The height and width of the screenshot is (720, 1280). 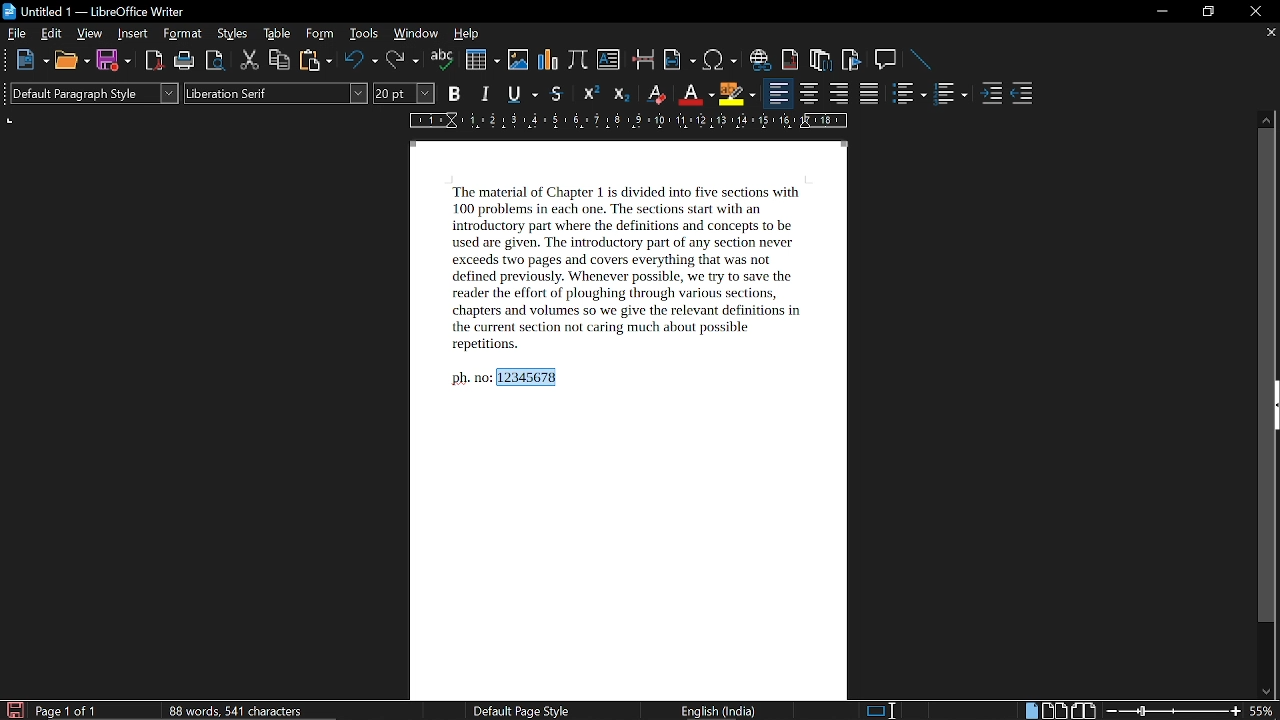 I want to click on default page style, so click(x=522, y=711).